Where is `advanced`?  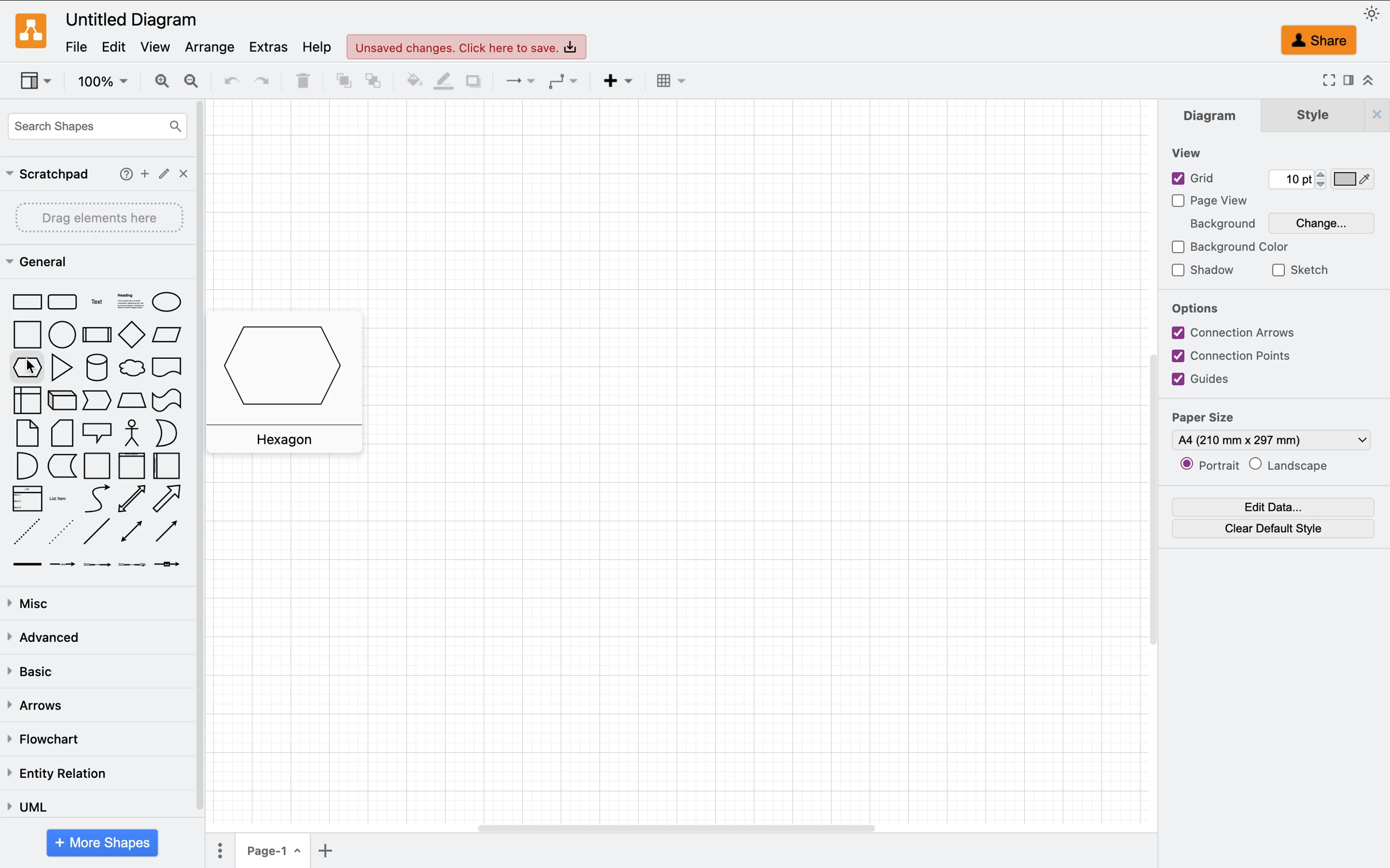
advanced is located at coordinates (43, 640).